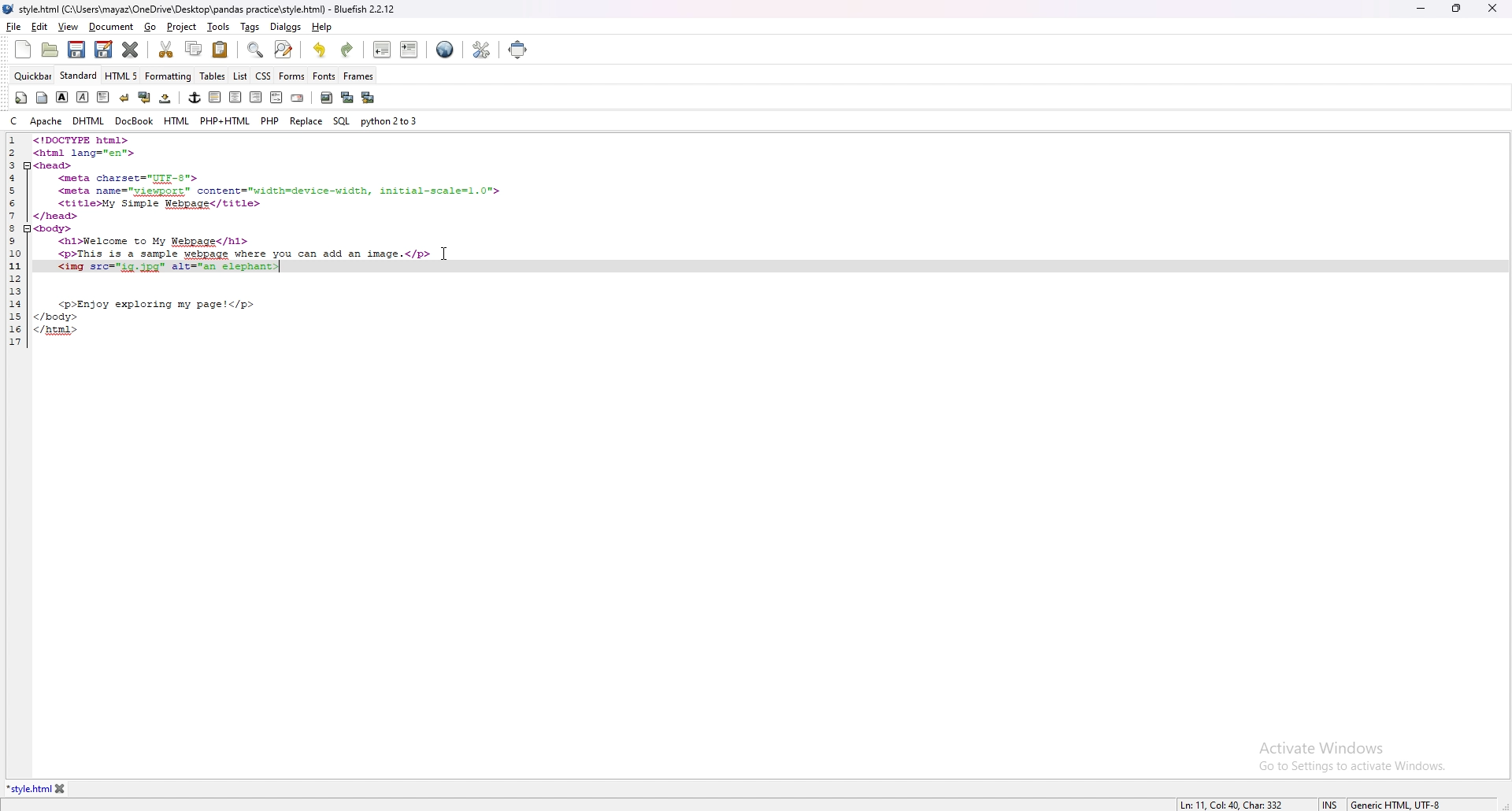 The width and height of the screenshot is (1512, 811). I want to click on indent, so click(409, 51).